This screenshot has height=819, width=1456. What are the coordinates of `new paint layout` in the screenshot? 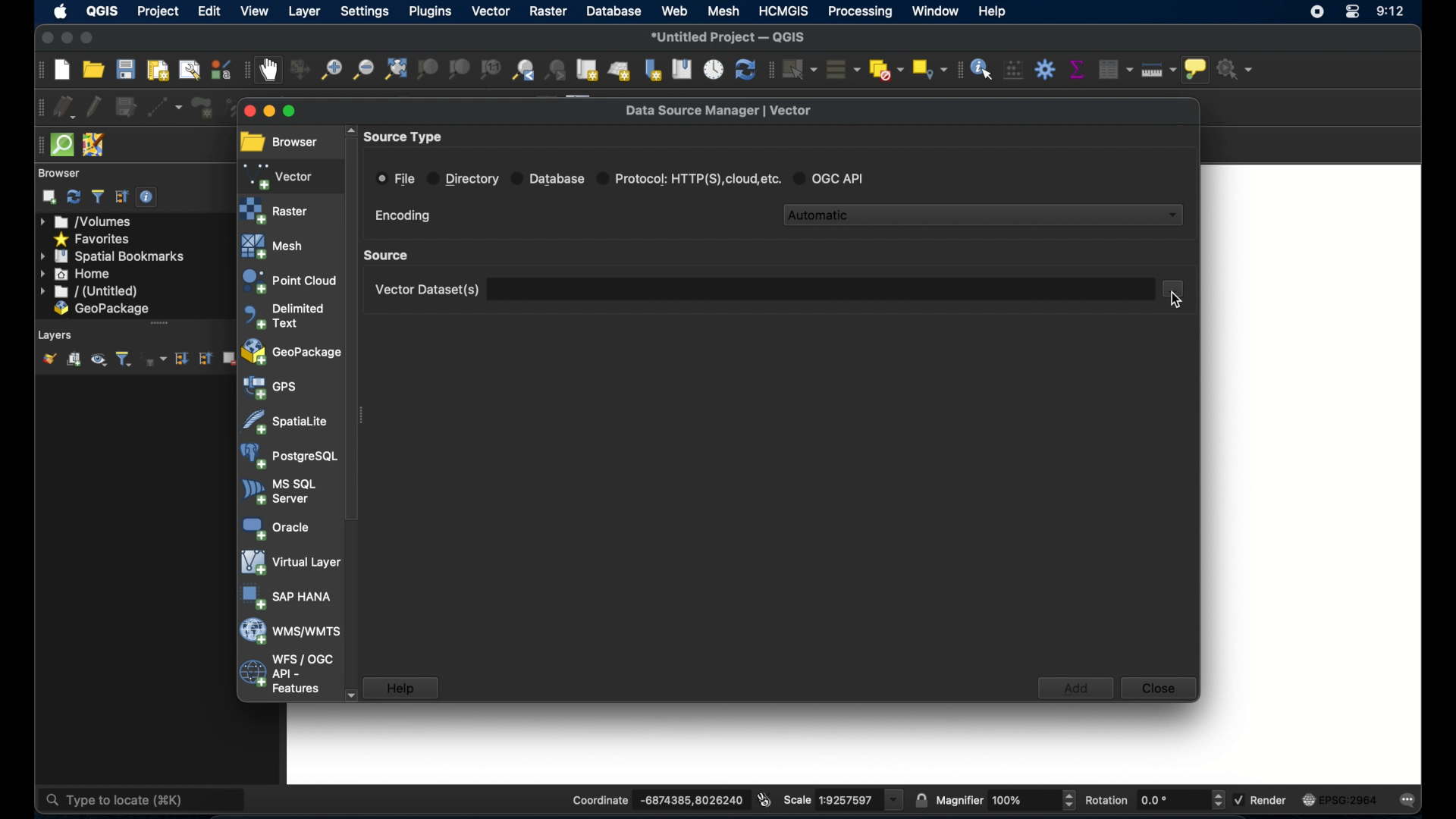 It's located at (158, 69).